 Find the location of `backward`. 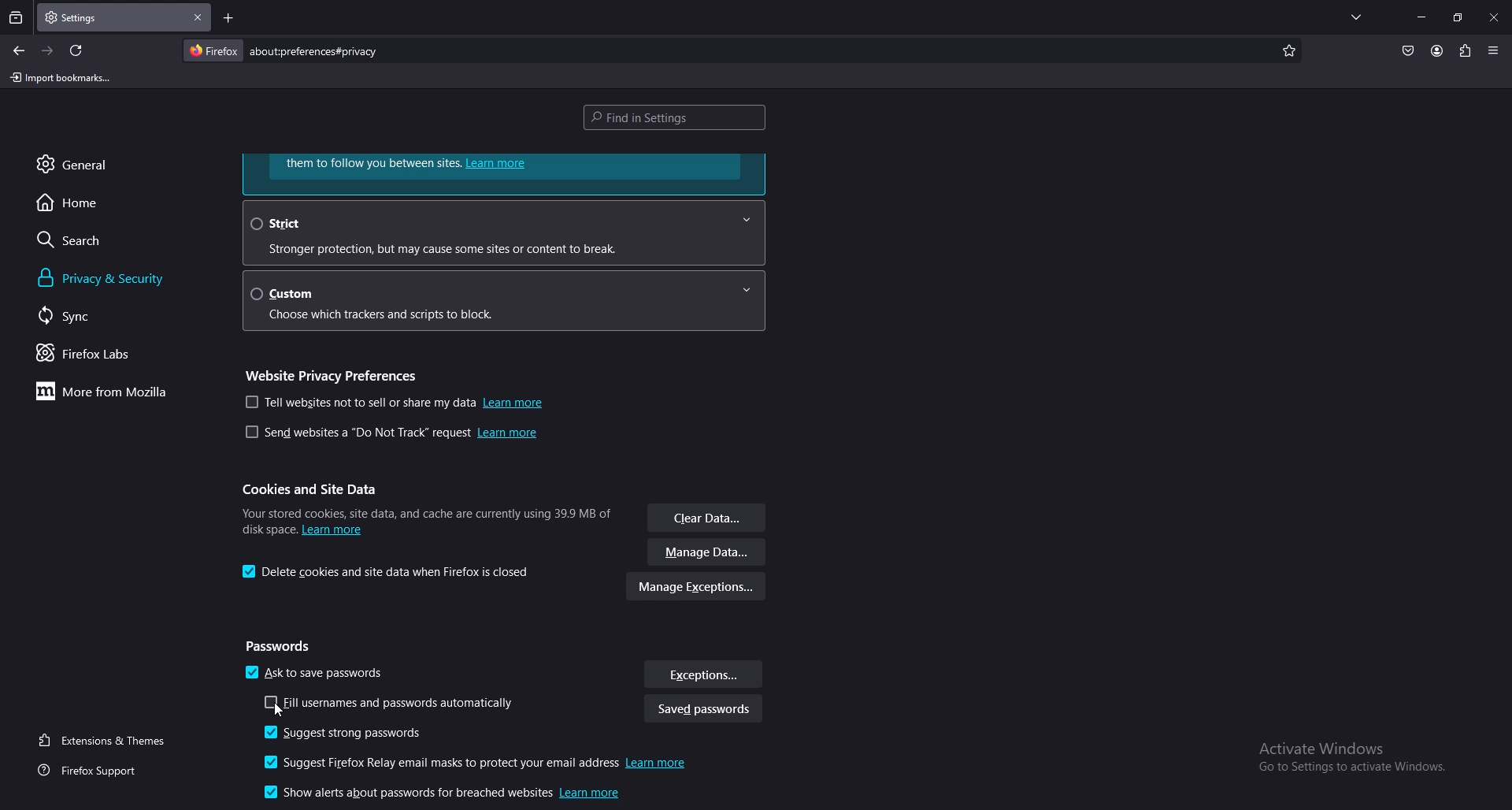

backward is located at coordinates (20, 51).